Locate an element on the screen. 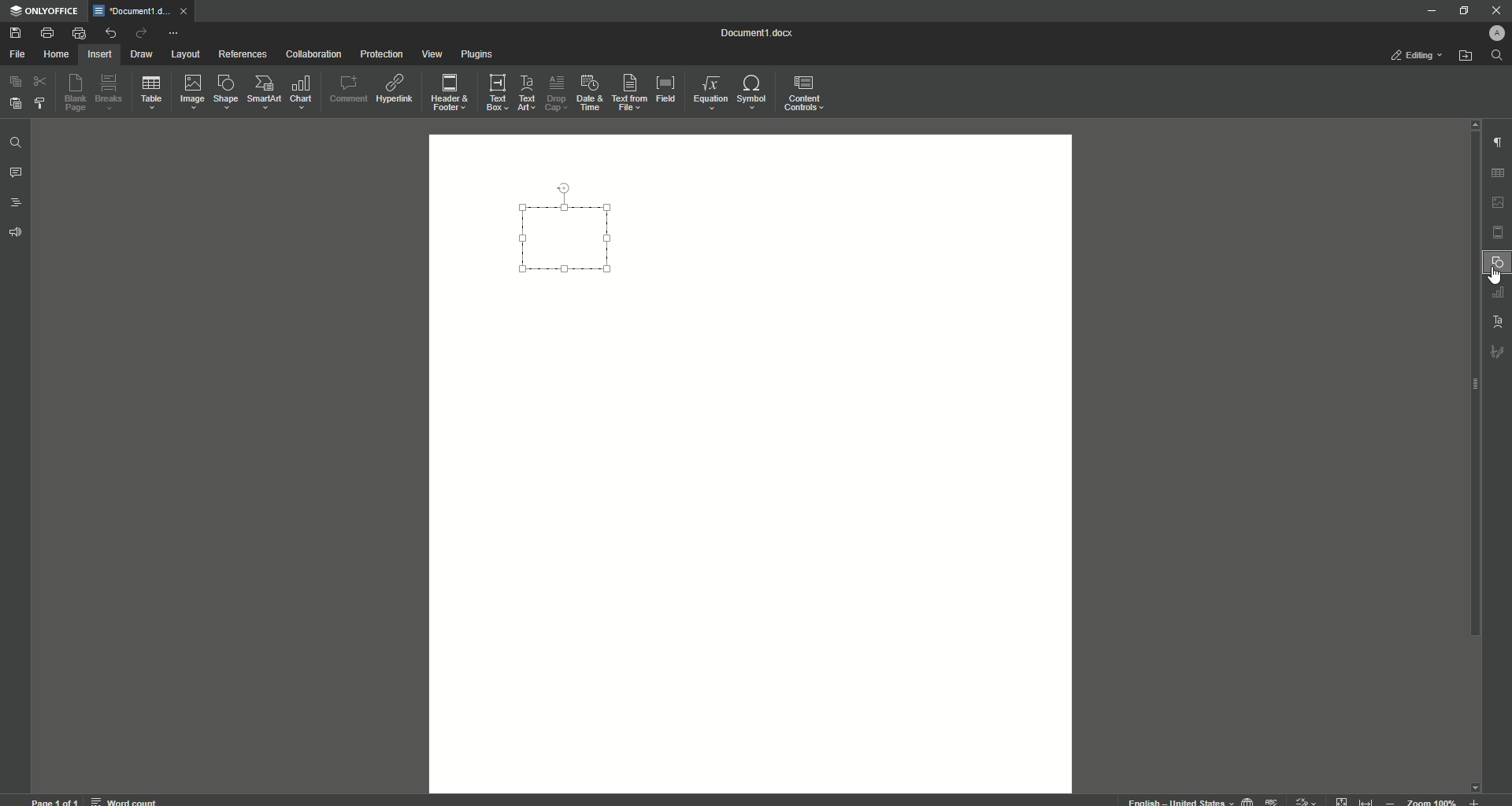 The image size is (1512, 806). Editing is located at coordinates (1419, 55).